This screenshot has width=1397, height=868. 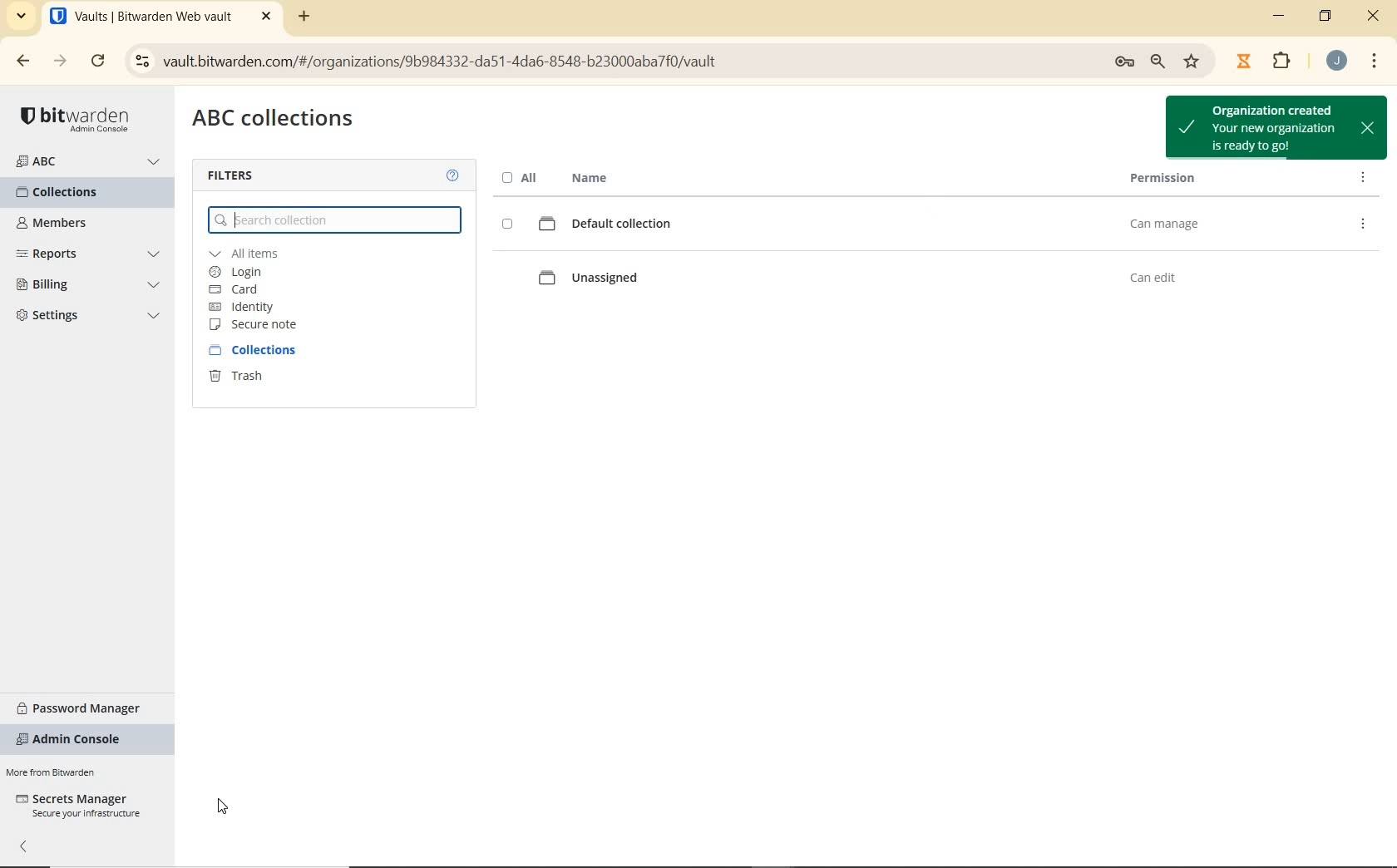 I want to click on search tabs, so click(x=21, y=17).